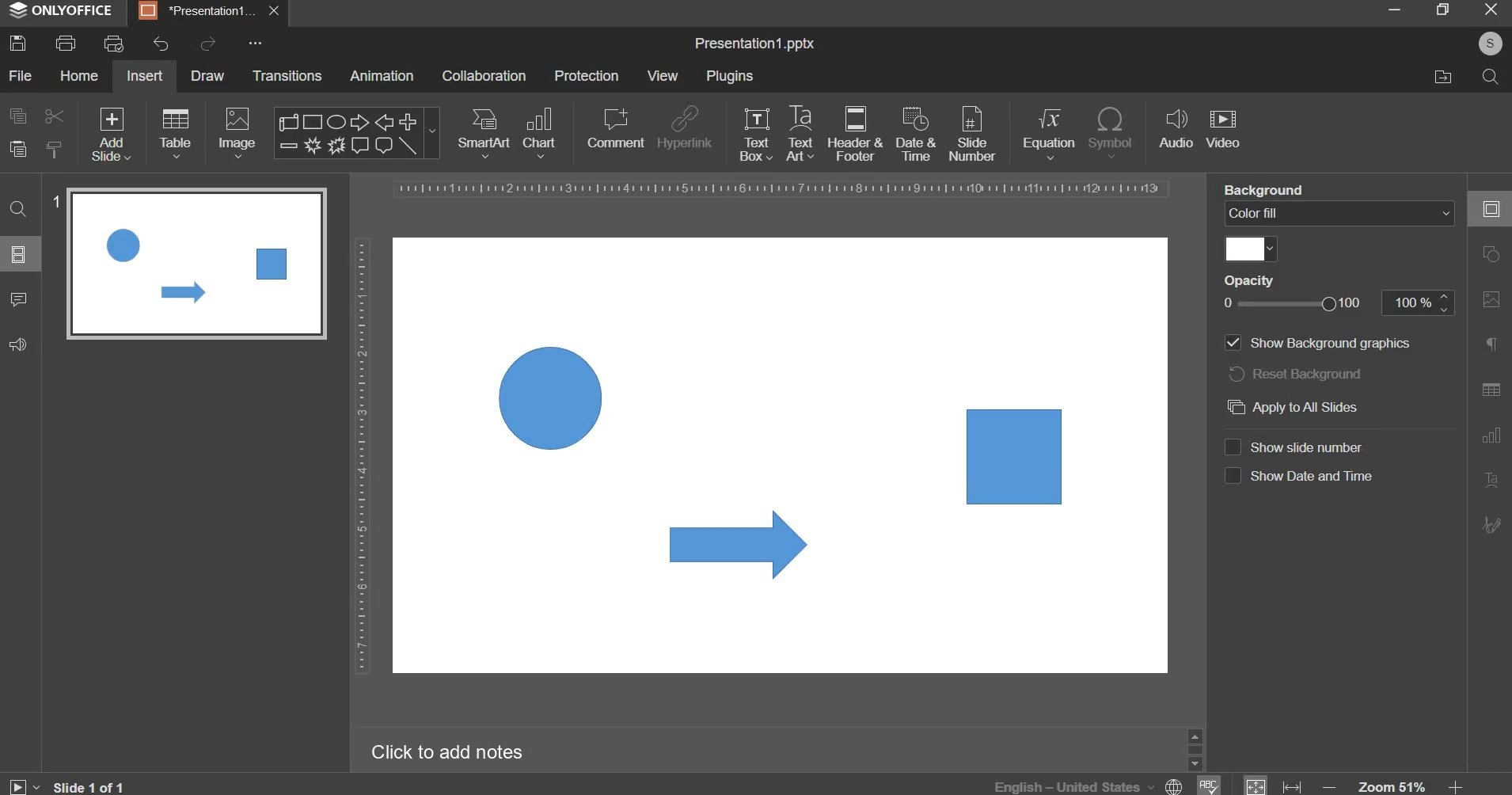 The height and width of the screenshot is (795, 1512). Describe the element at coordinates (1491, 524) in the screenshot. I see `signature ` at that location.